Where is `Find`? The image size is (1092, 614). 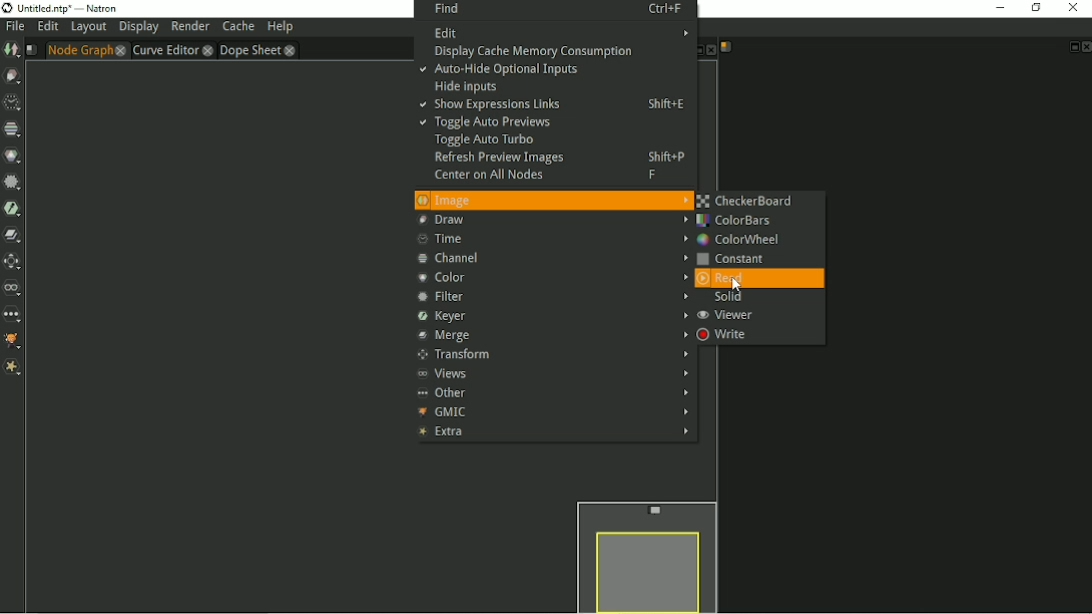 Find is located at coordinates (556, 9).